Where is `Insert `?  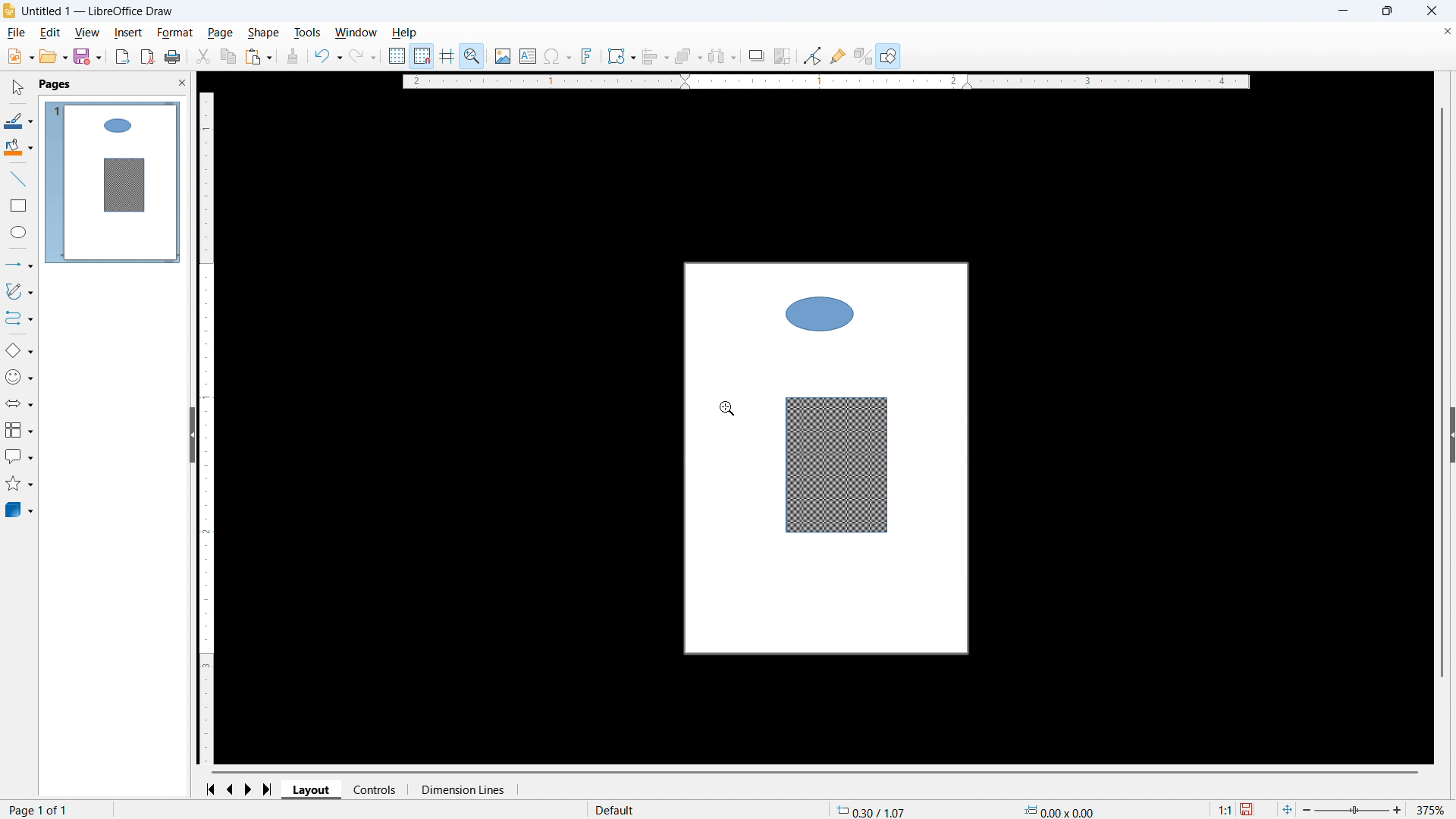
Insert  is located at coordinates (128, 33).